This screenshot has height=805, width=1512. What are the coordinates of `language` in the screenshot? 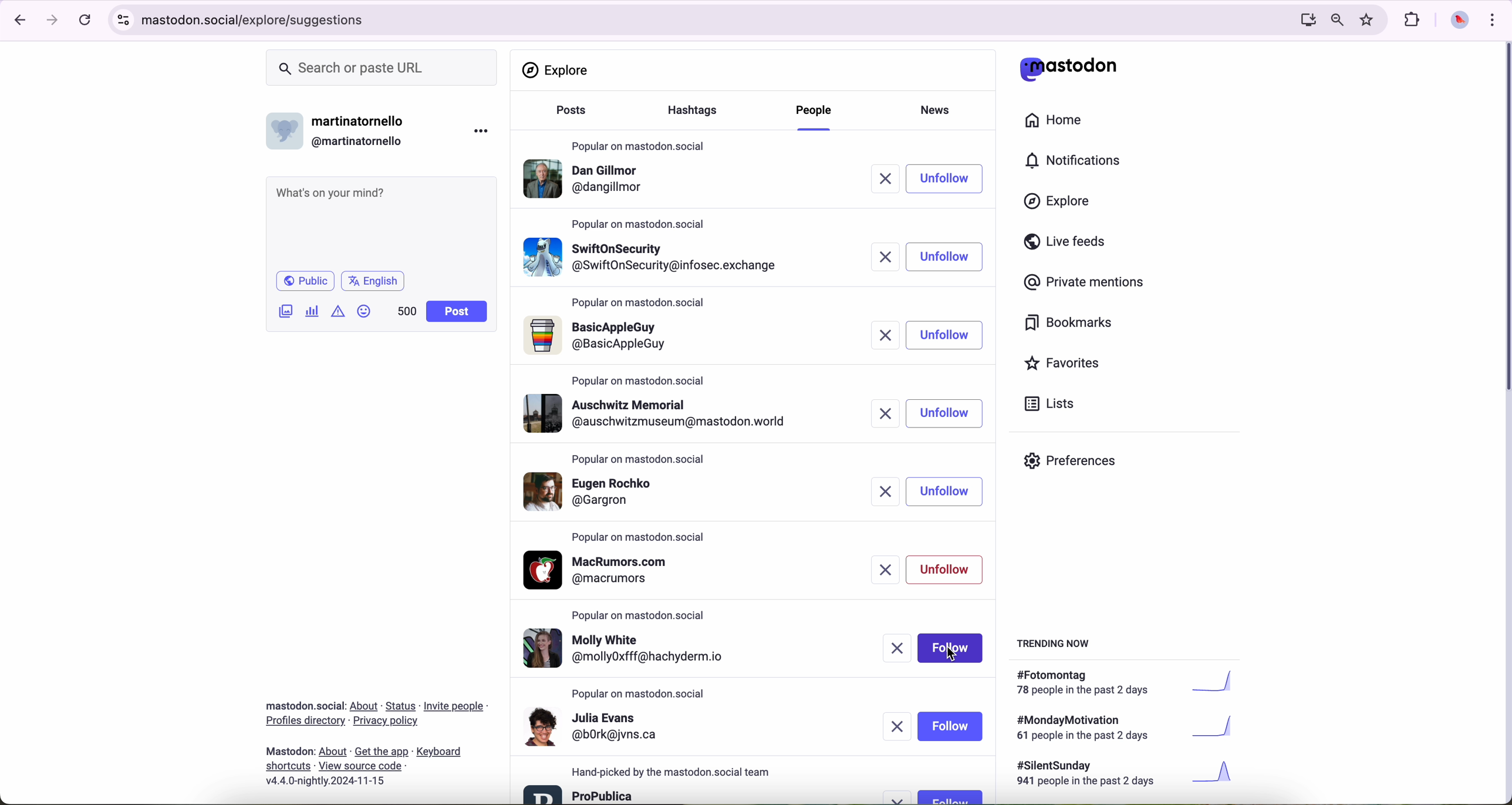 It's located at (373, 280).